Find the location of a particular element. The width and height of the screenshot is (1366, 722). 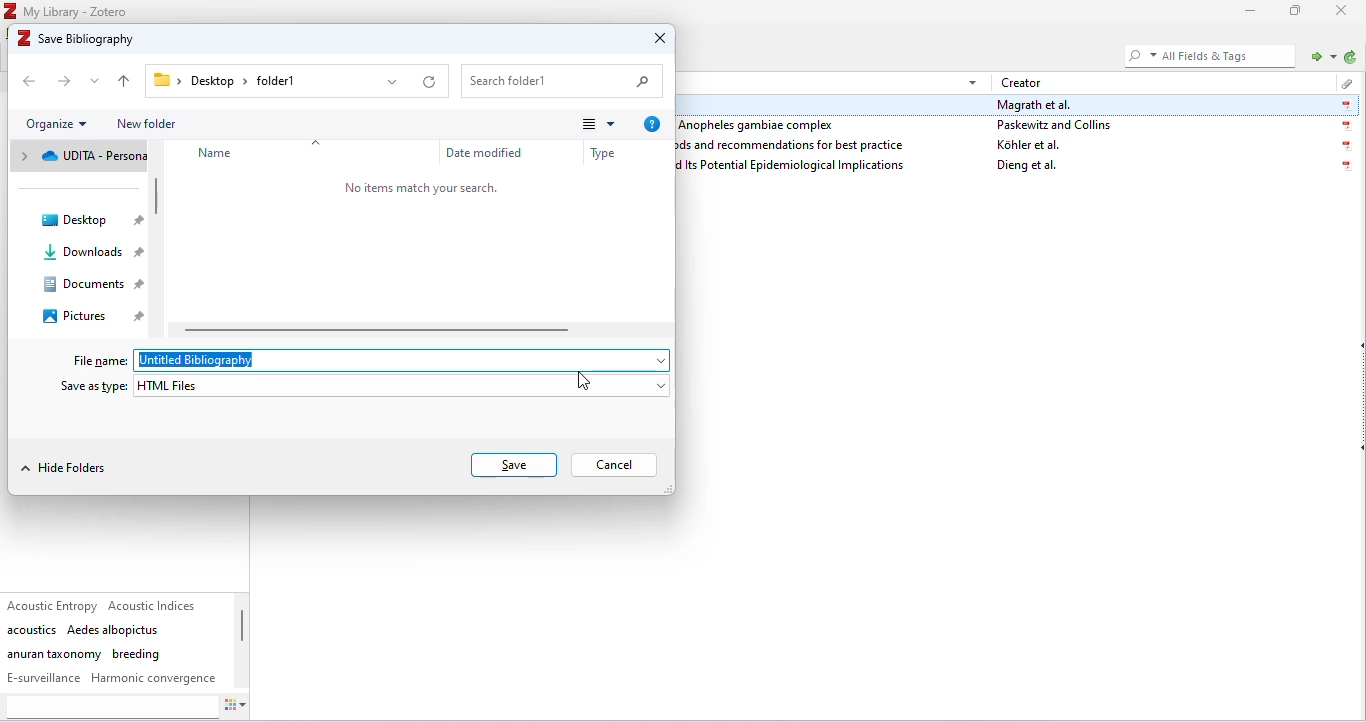

file name is located at coordinates (230, 361).